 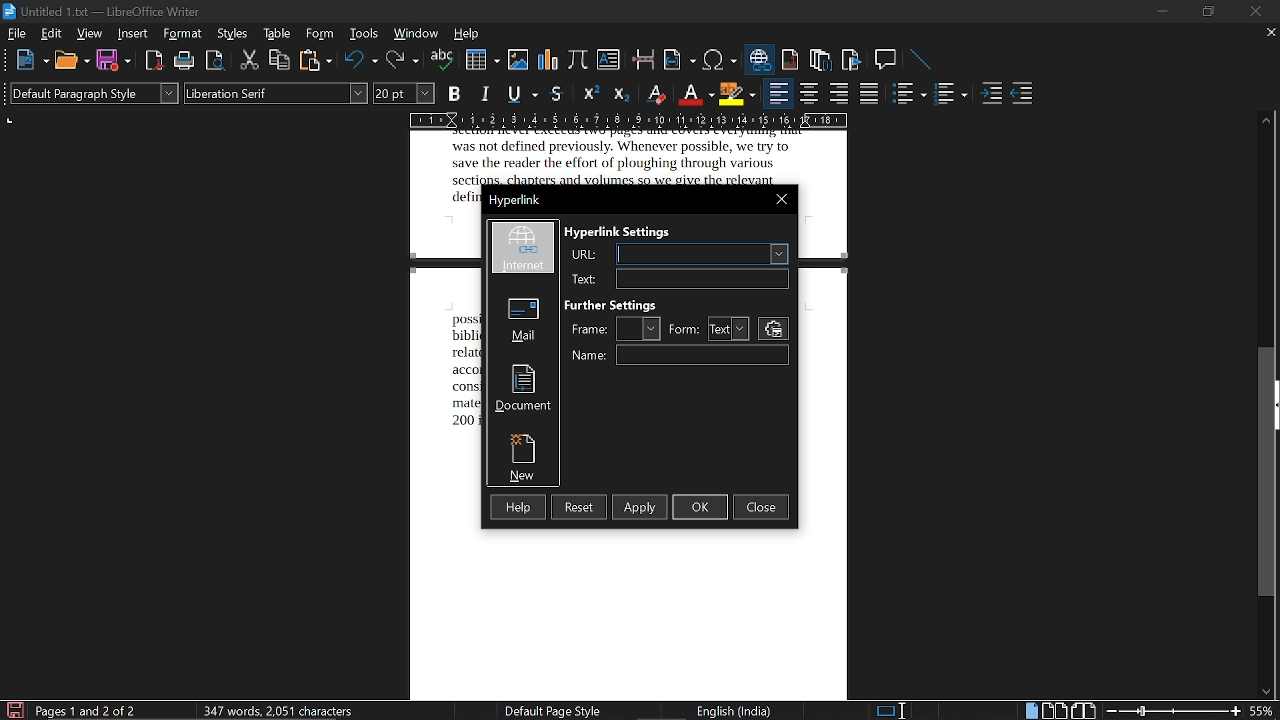 What do you see at coordinates (580, 507) in the screenshot?
I see `reset` at bounding box center [580, 507].